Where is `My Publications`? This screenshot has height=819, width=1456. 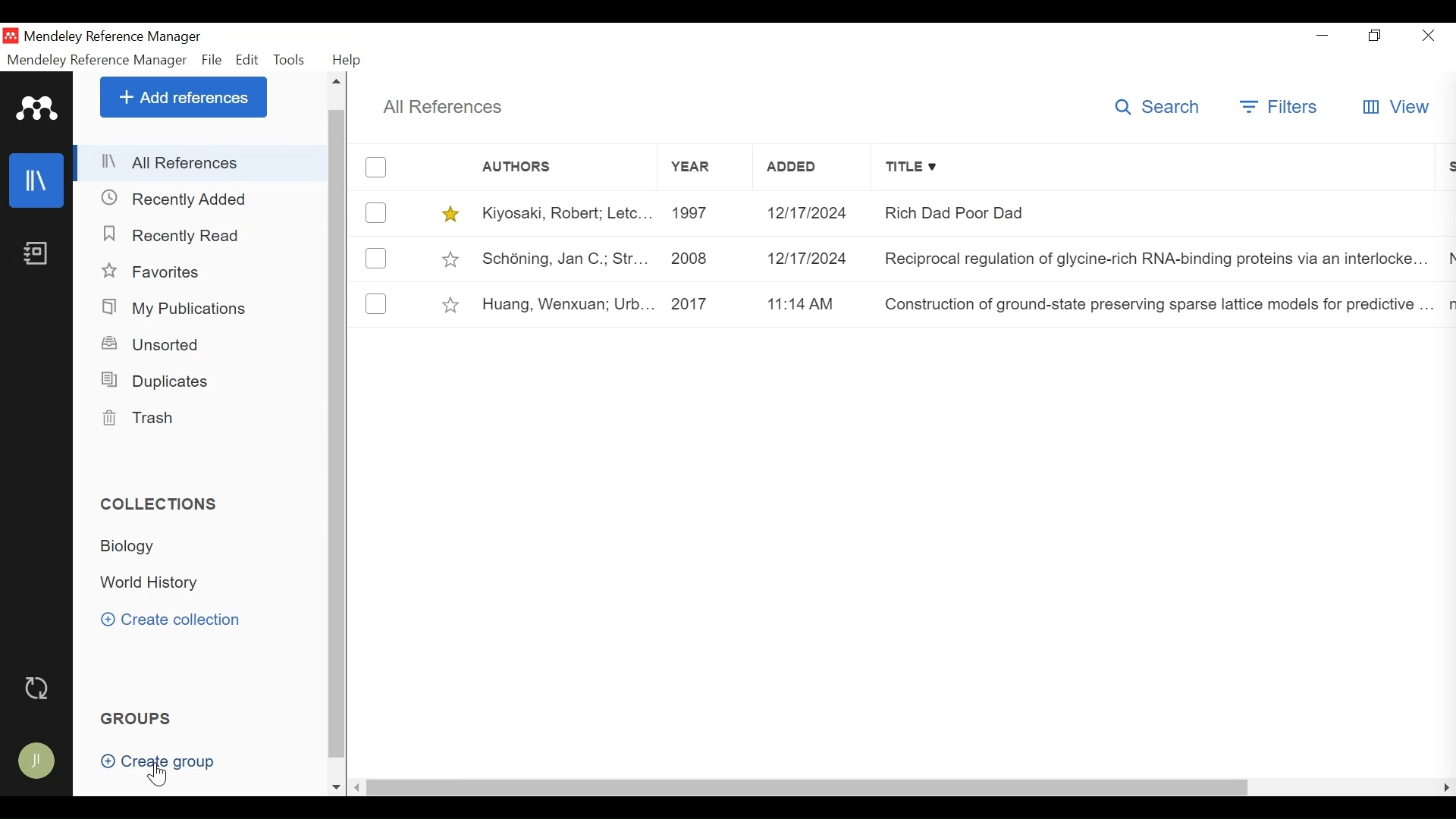 My Publications is located at coordinates (174, 309).